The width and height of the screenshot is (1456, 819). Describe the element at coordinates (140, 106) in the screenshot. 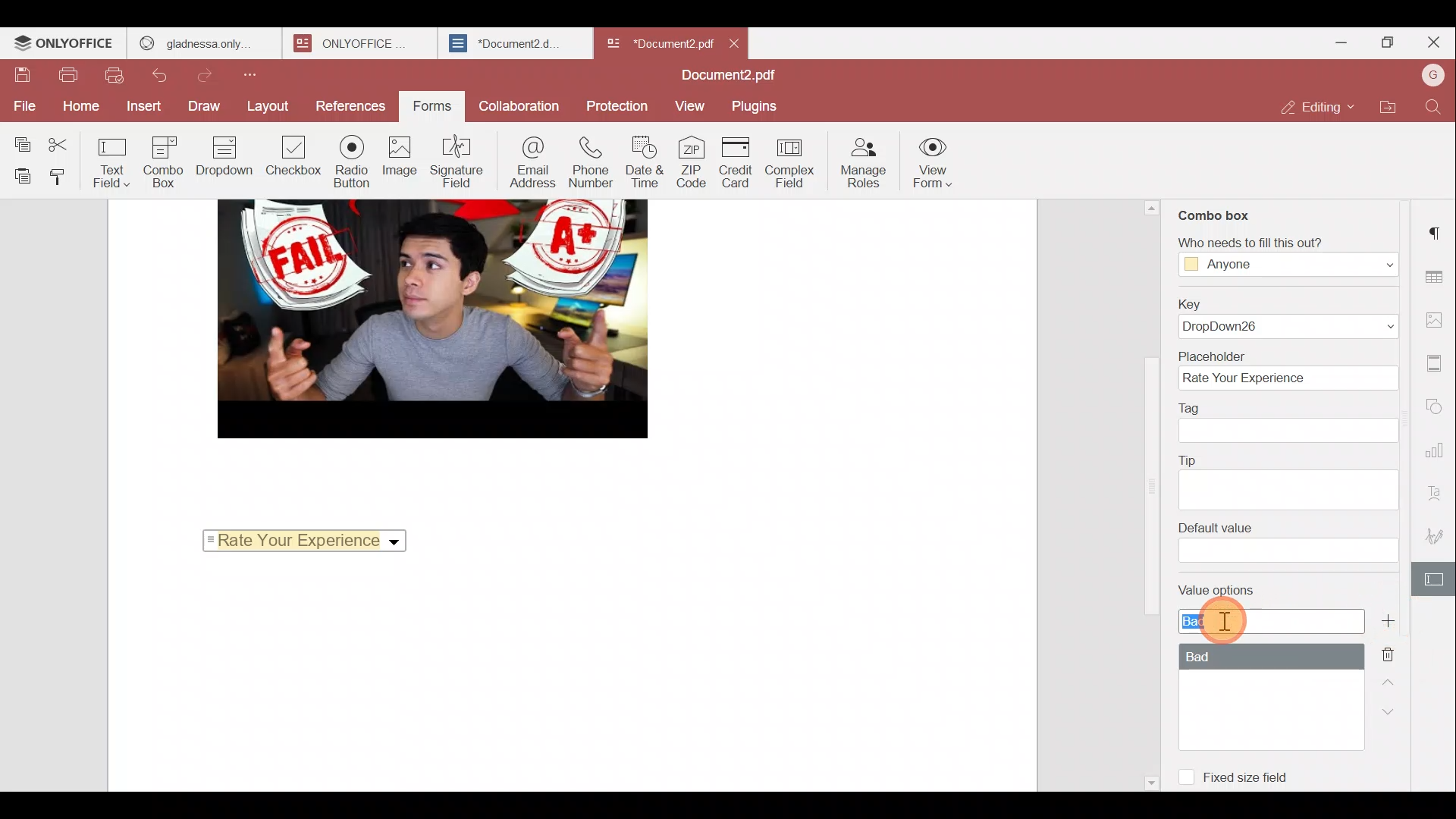

I see `Insert` at that location.